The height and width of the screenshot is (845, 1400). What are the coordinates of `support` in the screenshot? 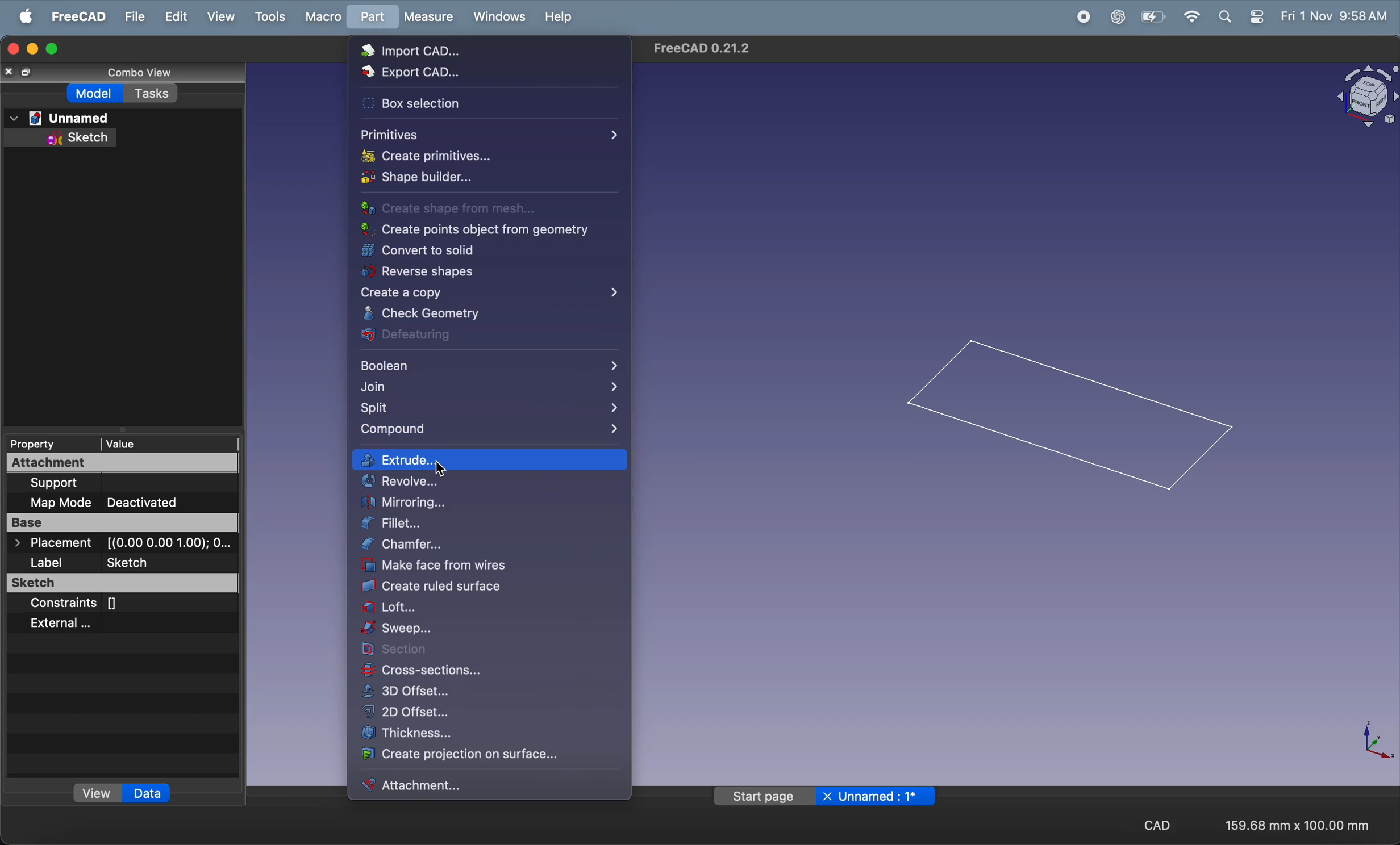 It's located at (111, 482).